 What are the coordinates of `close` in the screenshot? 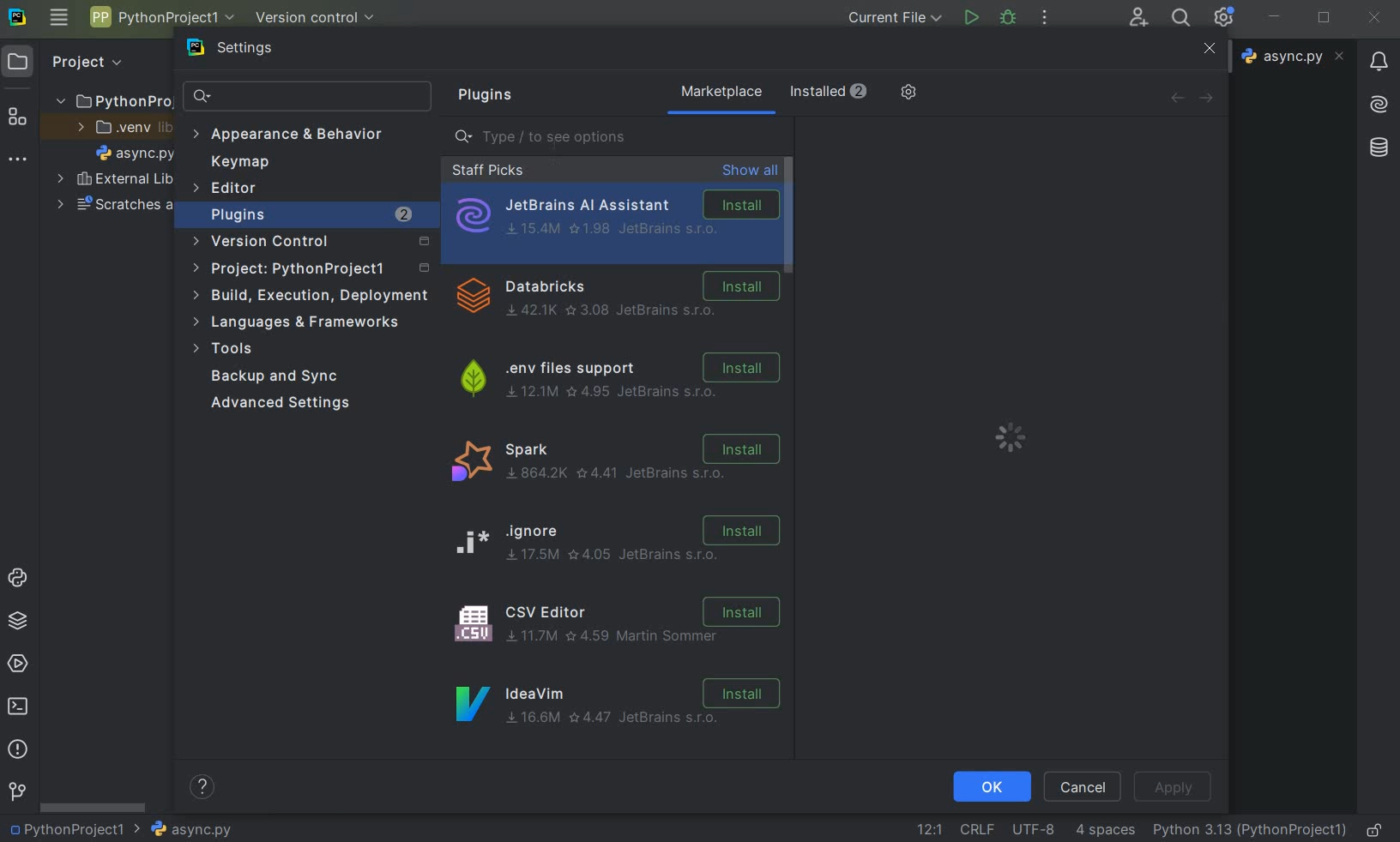 It's located at (1375, 19).